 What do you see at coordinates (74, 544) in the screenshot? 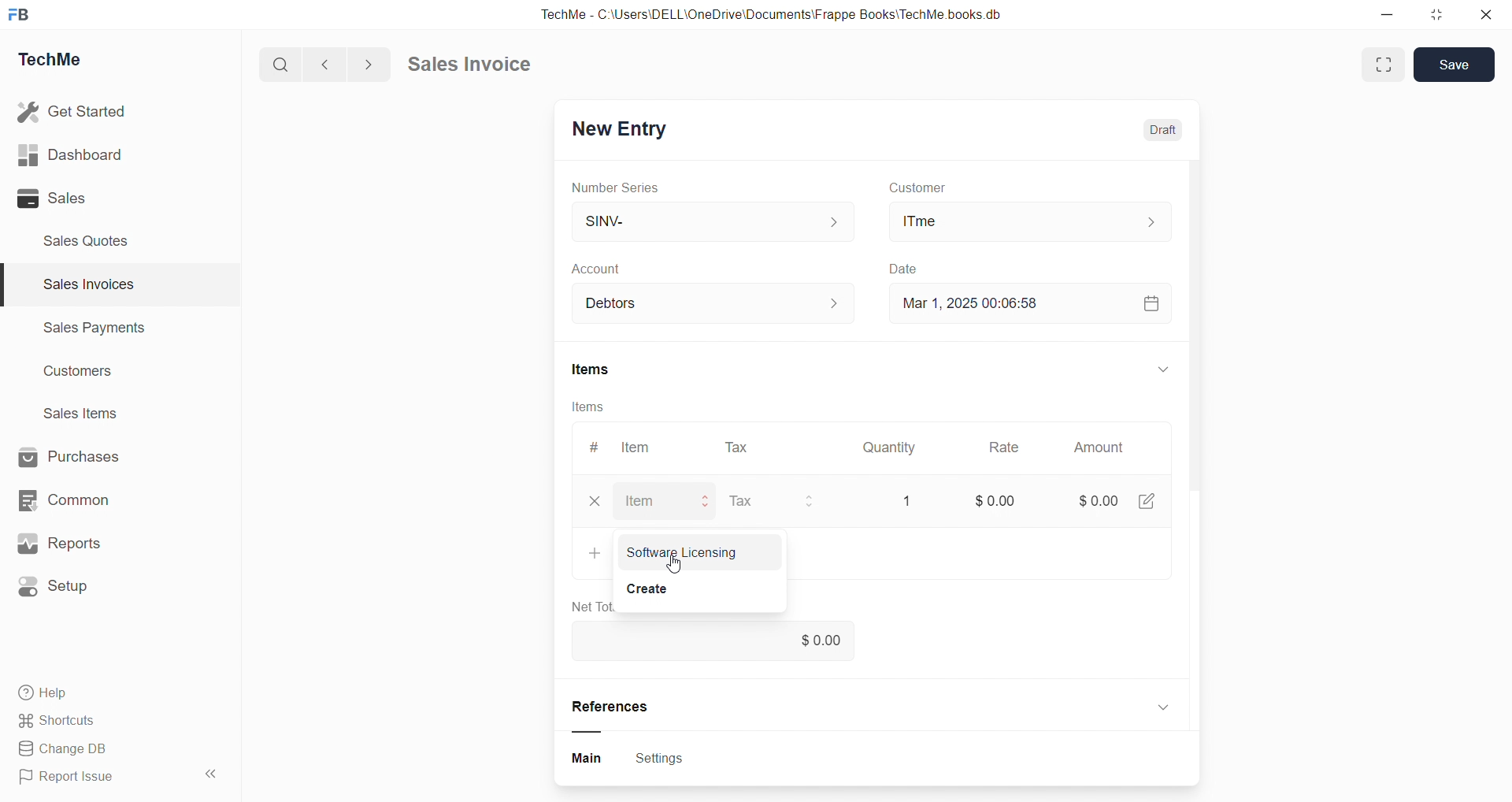
I see `ws Reports` at bounding box center [74, 544].